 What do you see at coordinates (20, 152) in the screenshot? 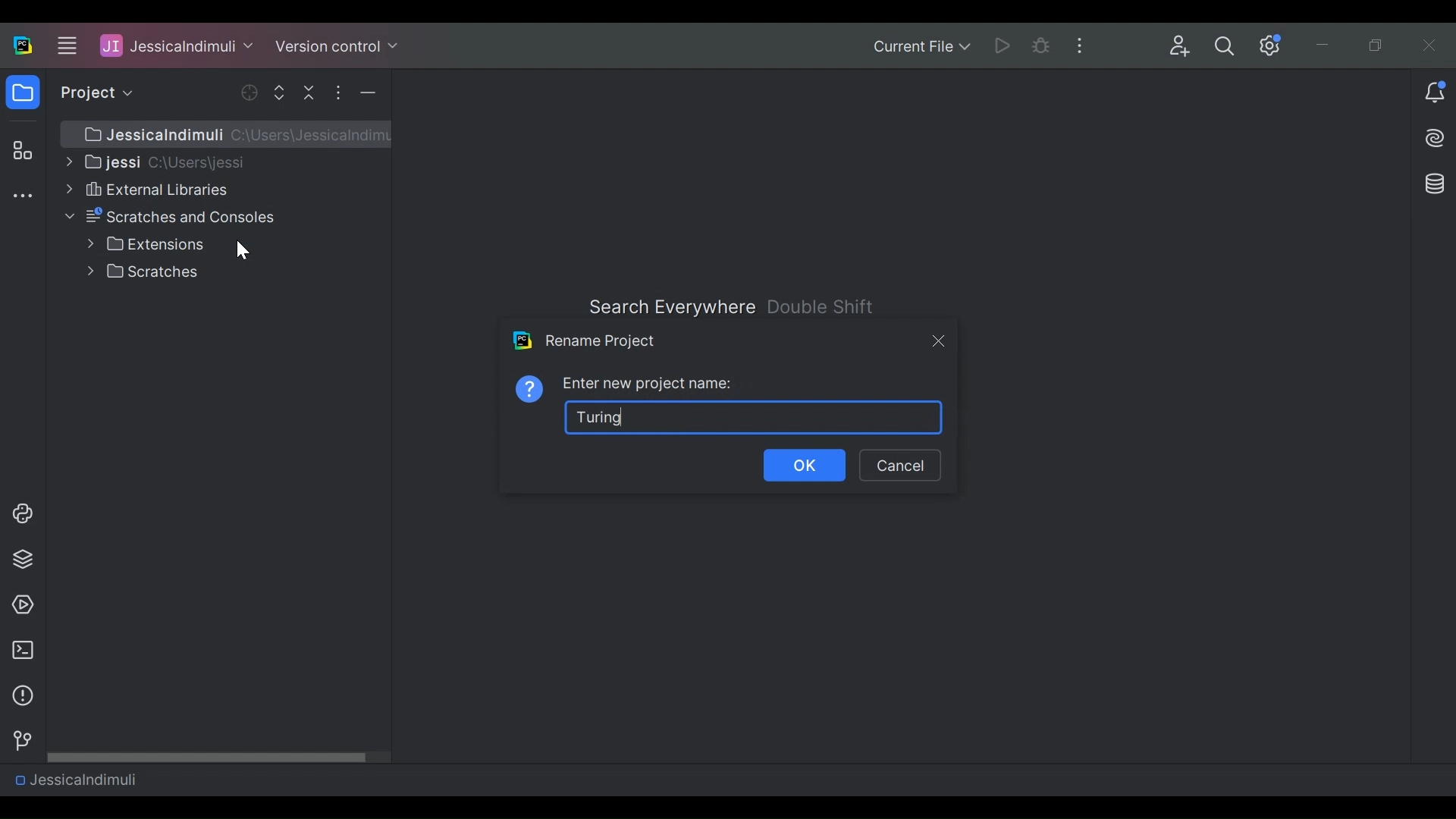
I see `Structure` at bounding box center [20, 152].